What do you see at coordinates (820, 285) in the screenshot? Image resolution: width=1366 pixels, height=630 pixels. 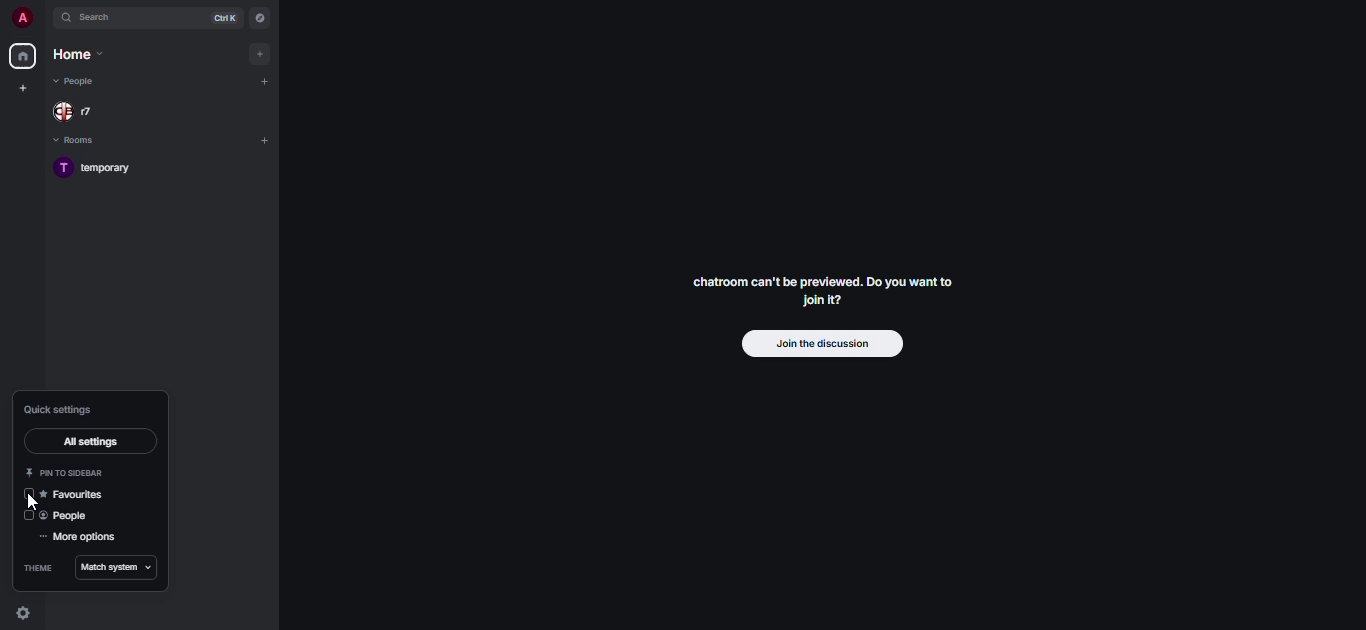 I see `chatroom can't be previewed. Join it?` at bounding box center [820, 285].